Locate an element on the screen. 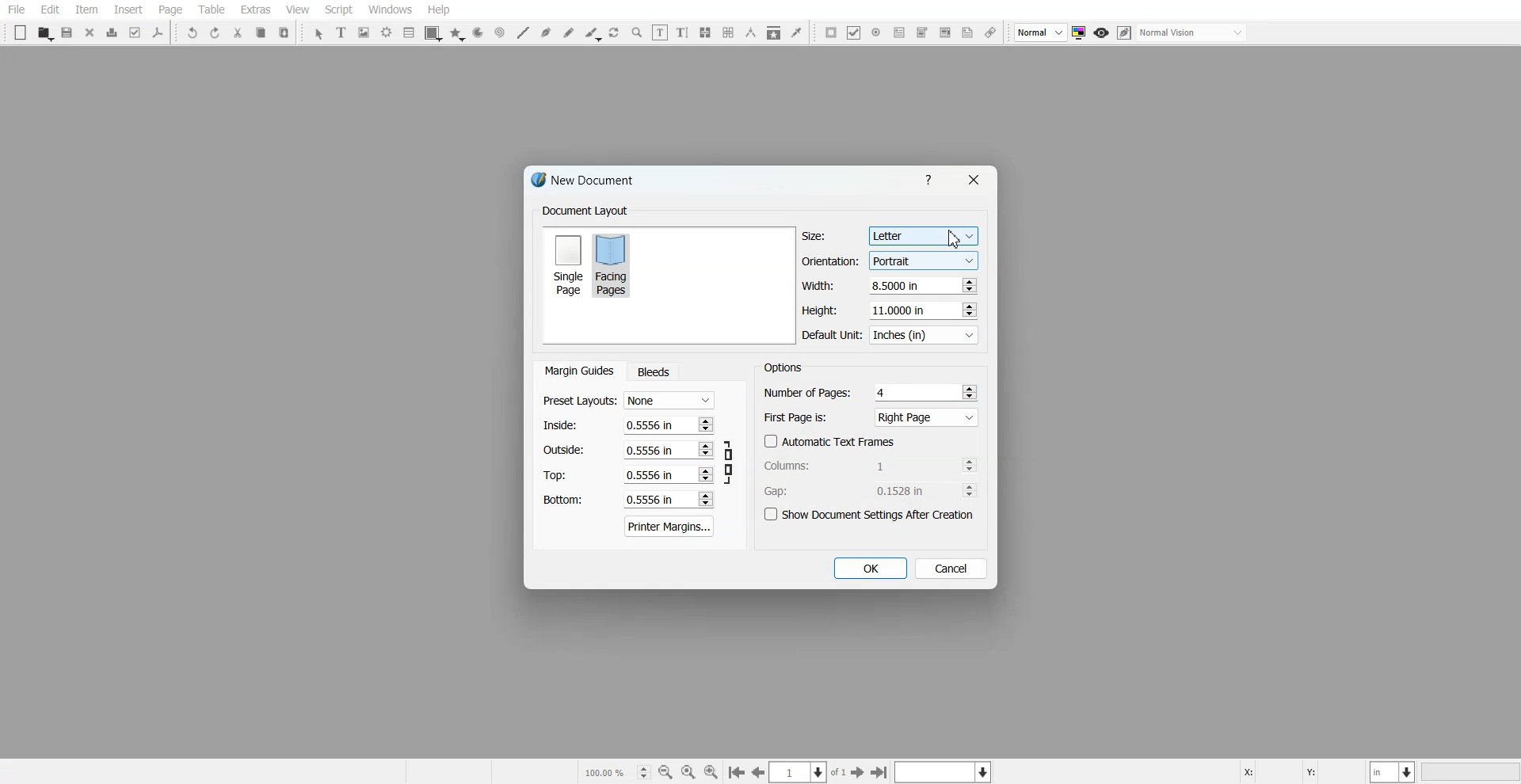  Show Document settings after Creation is located at coordinates (871, 515).